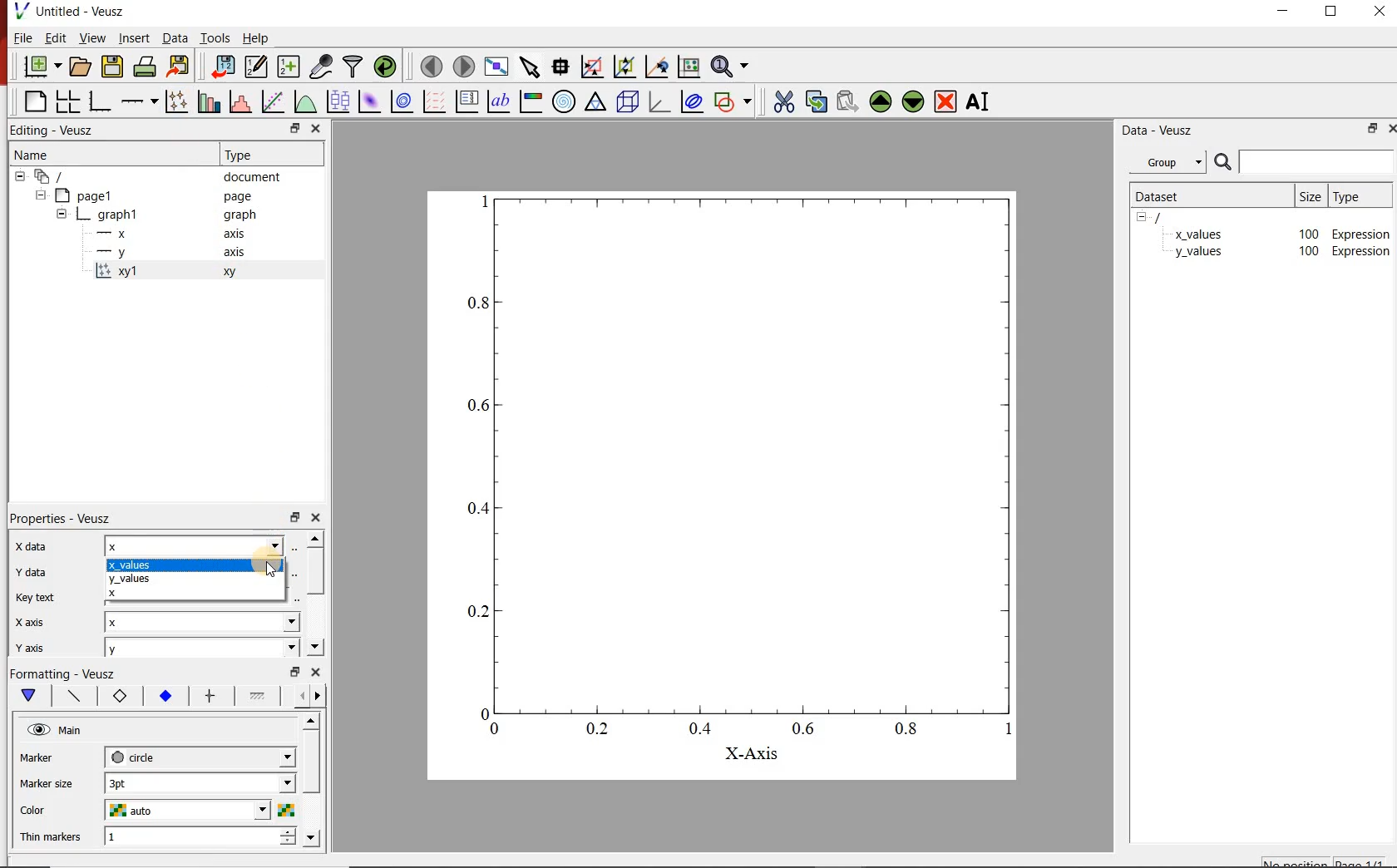 The height and width of the screenshot is (868, 1397). Describe the element at coordinates (65, 518) in the screenshot. I see ` Properties - Veusz` at that location.